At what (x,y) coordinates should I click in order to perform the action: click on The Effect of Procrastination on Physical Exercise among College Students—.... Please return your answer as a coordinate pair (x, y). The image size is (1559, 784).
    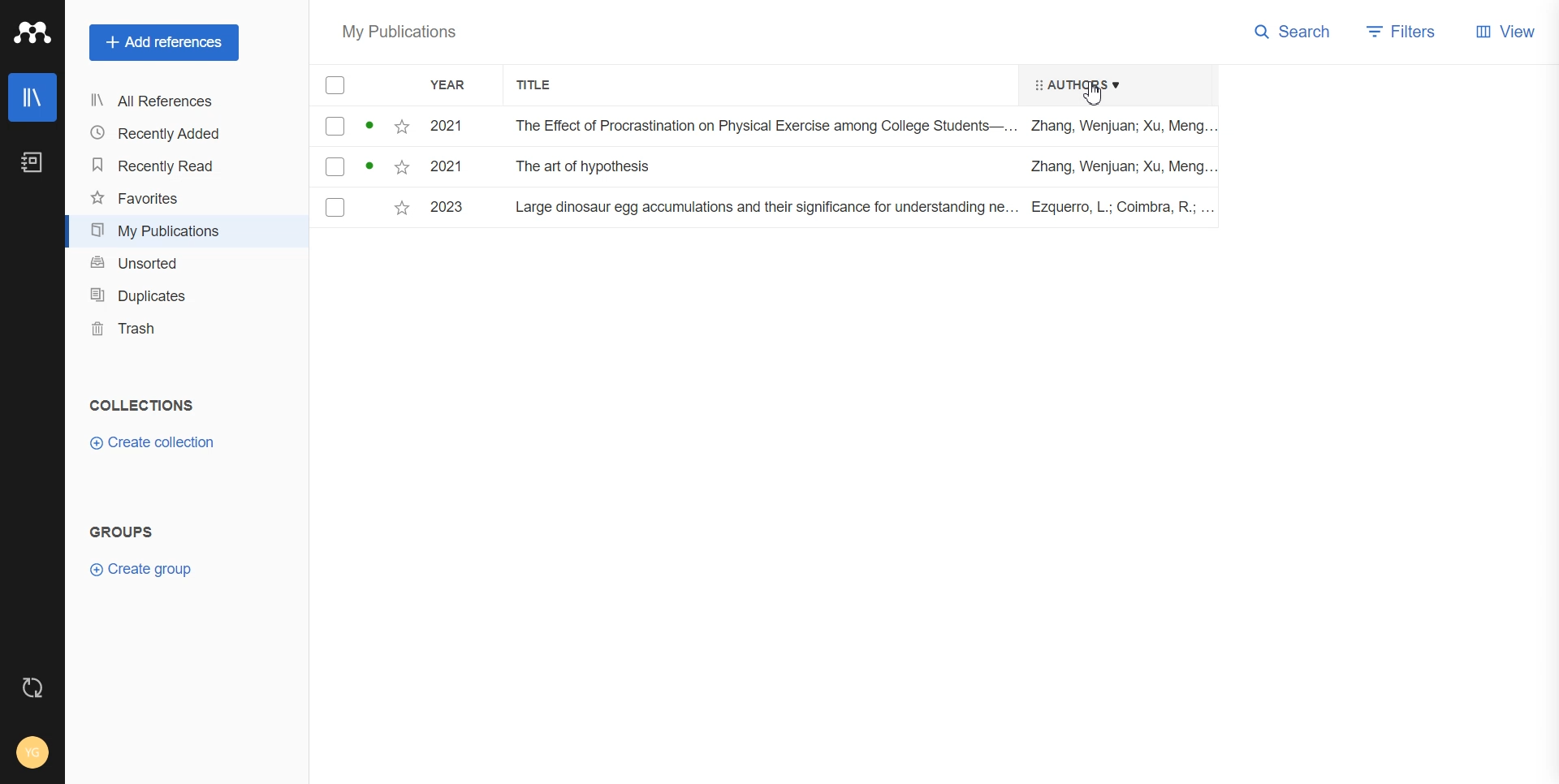
    Looking at the image, I should click on (764, 126).